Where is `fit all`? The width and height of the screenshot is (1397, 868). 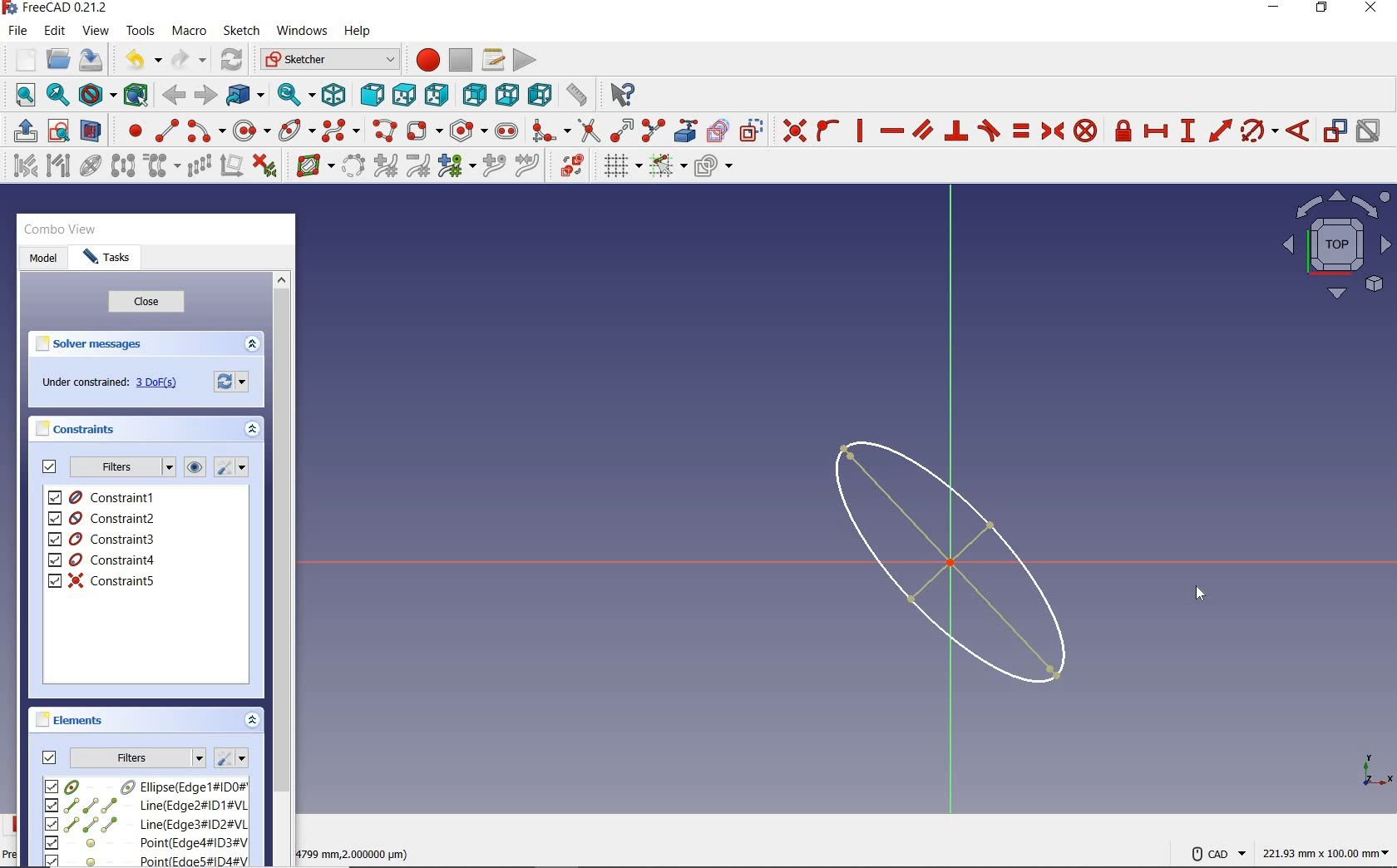
fit all is located at coordinates (21, 96).